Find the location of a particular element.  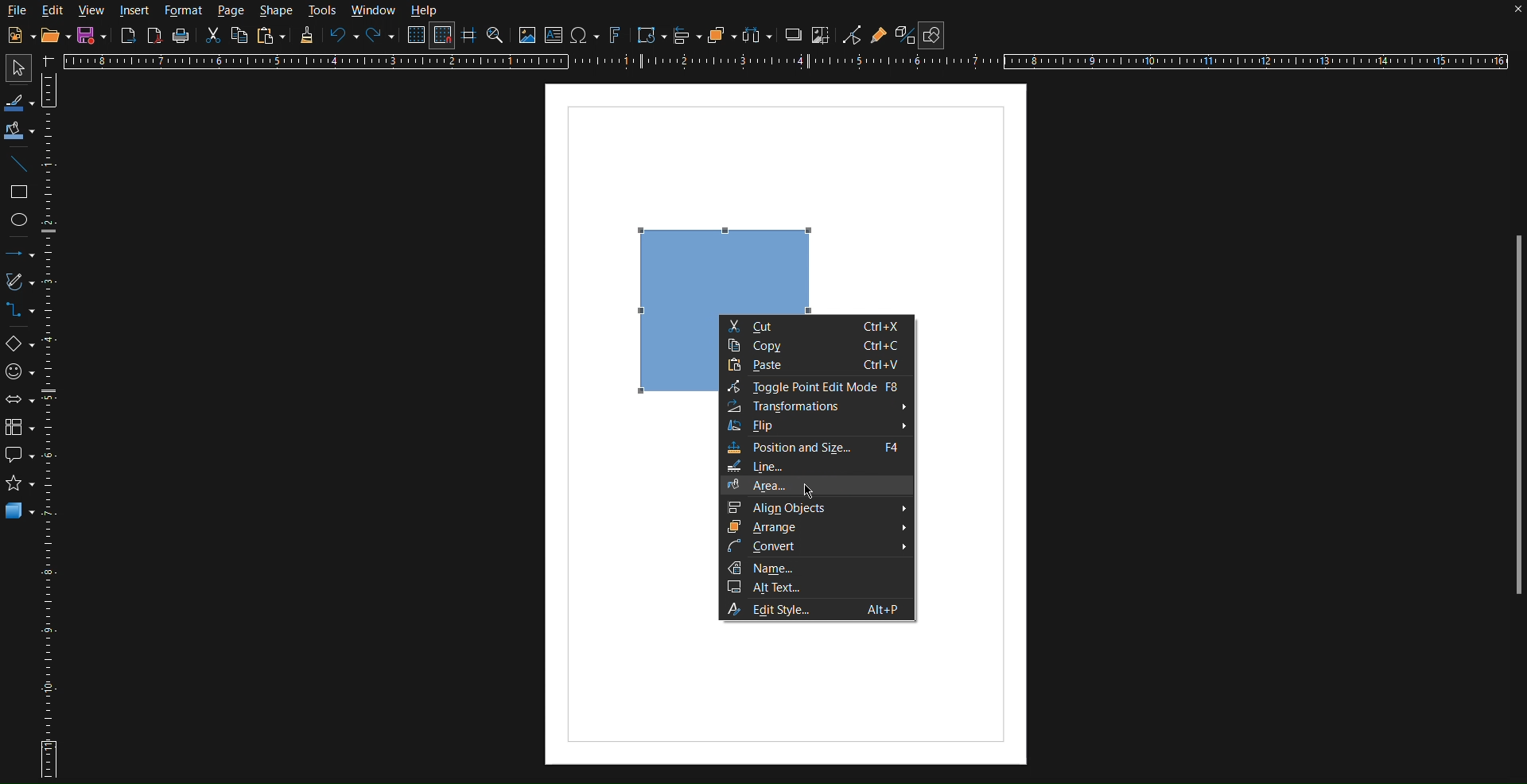

Formatting is located at coordinates (306, 39).